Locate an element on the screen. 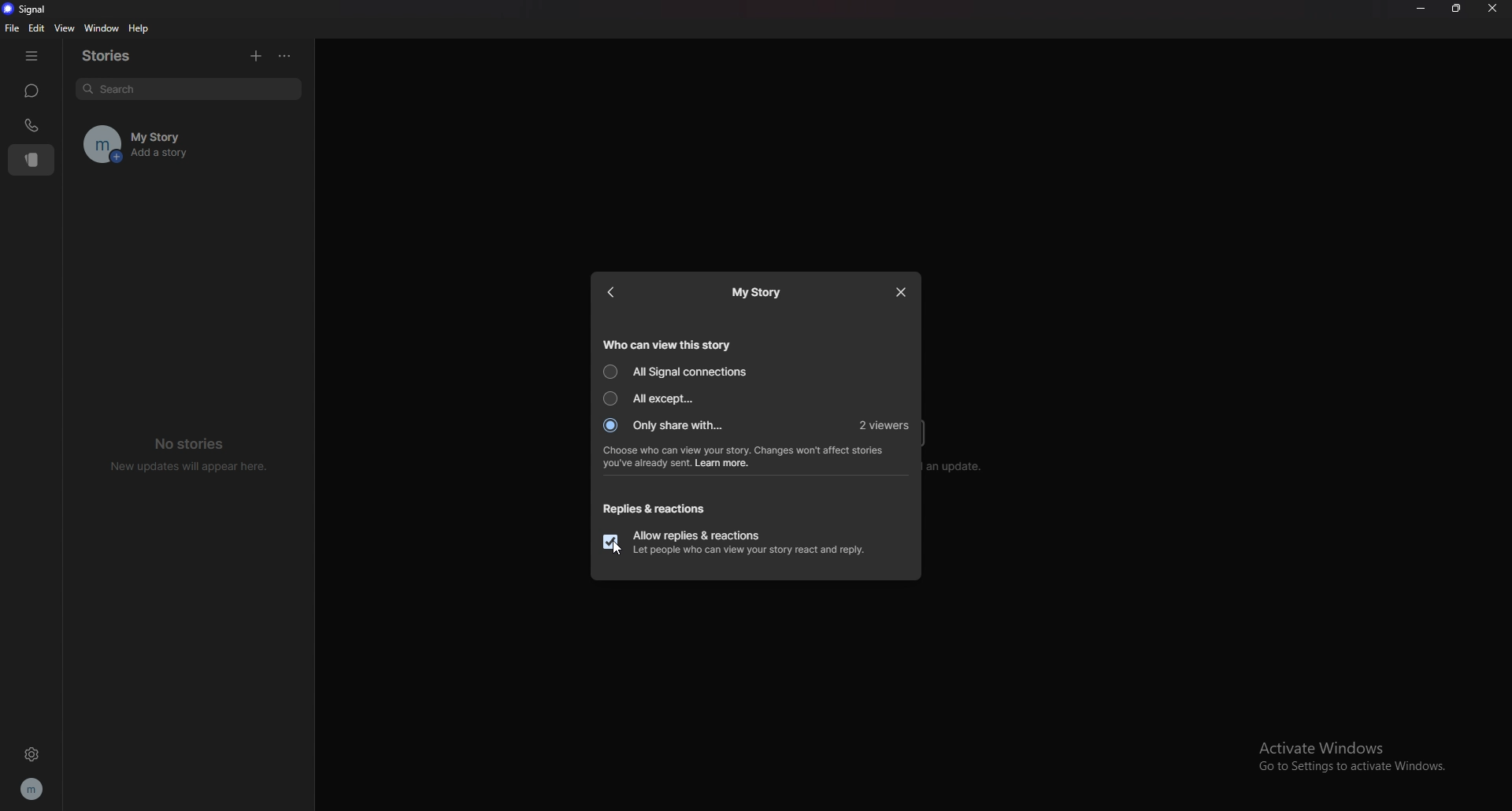 The height and width of the screenshot is (811, 1512). replies and reactions is located at coordinates (653, 509).